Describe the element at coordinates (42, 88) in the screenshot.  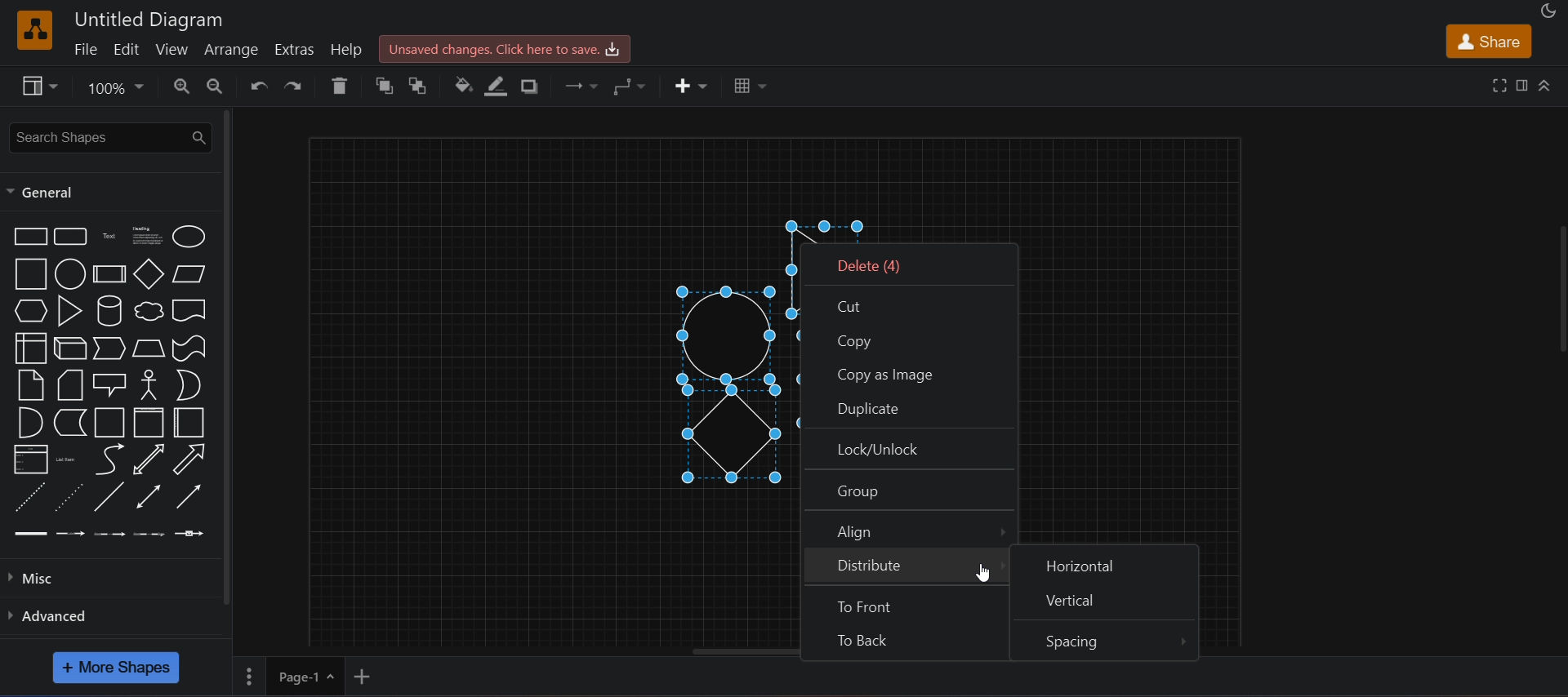
I see `view` at that location.